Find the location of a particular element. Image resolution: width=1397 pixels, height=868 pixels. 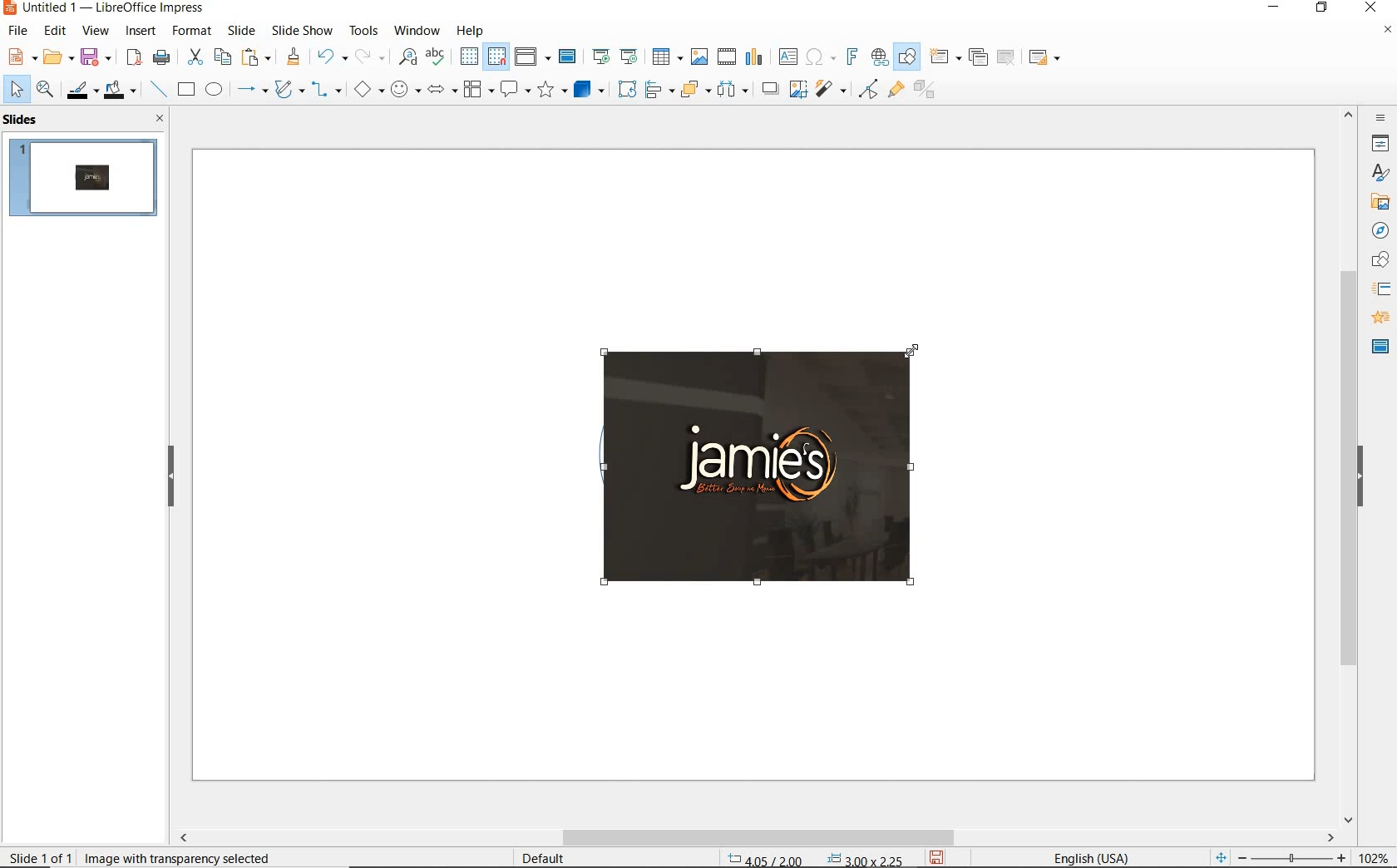

help is located at coordinates (472, 28).